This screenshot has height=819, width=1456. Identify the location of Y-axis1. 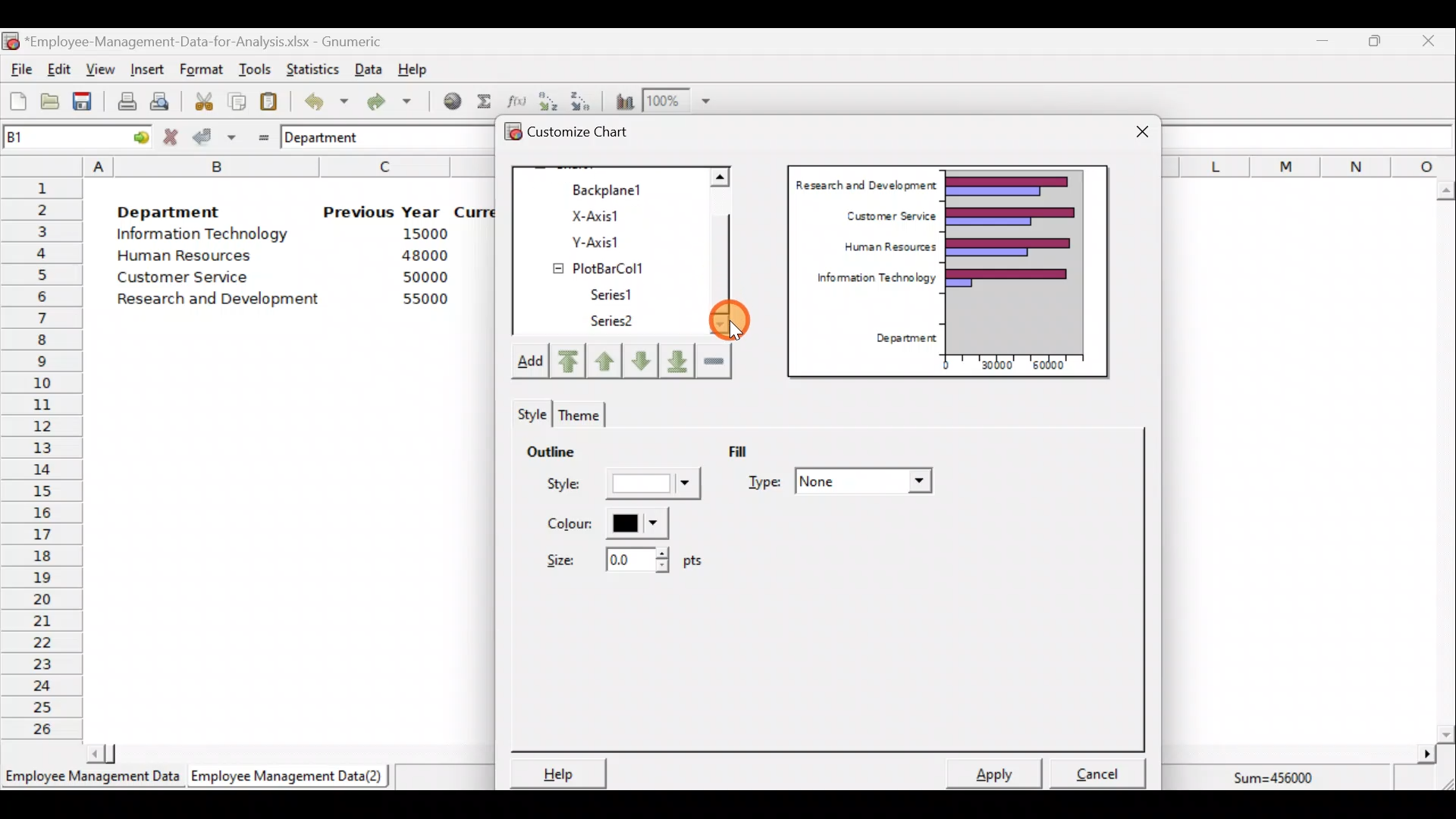
(615, 240).